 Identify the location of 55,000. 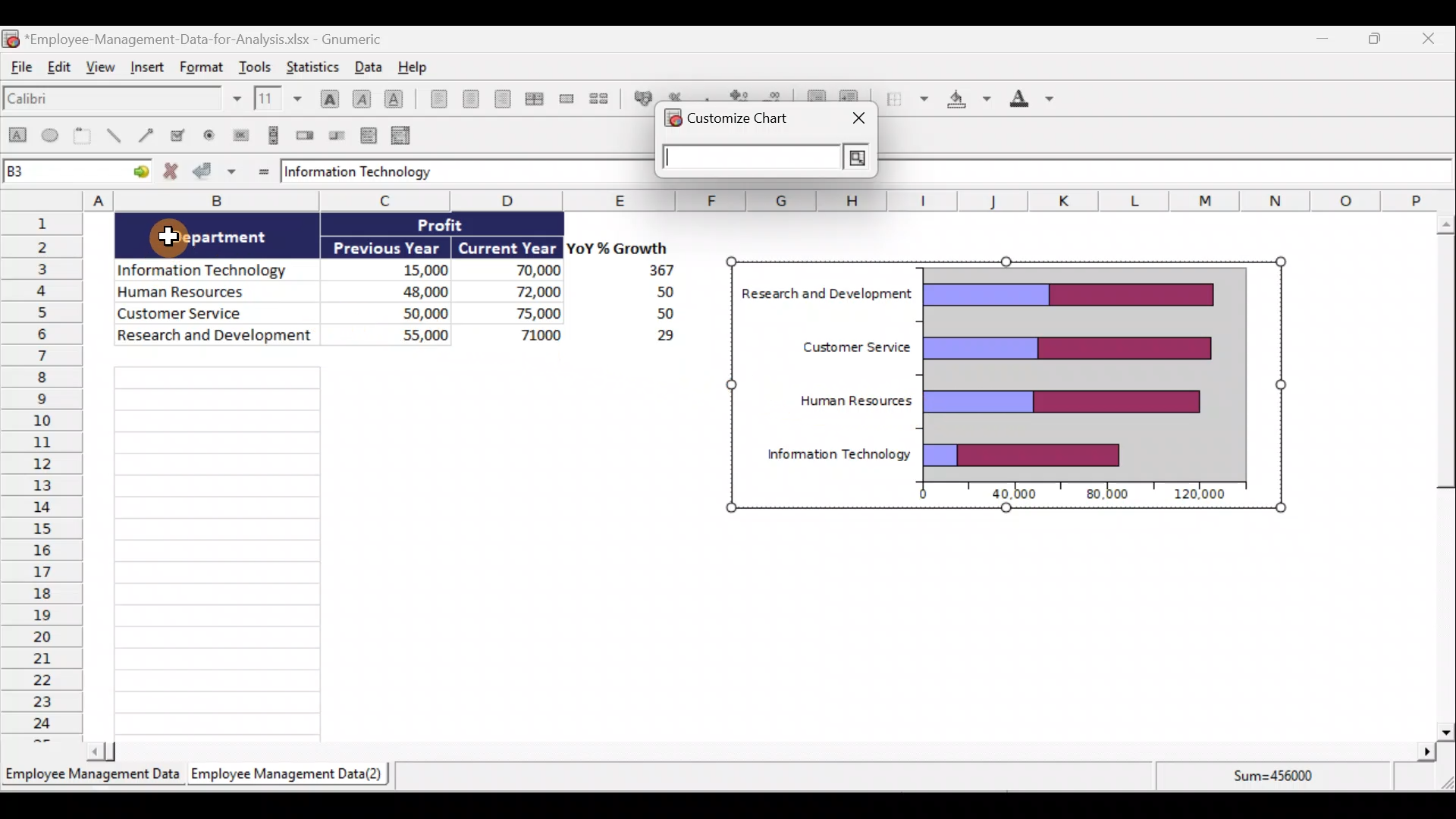
(406, 334).